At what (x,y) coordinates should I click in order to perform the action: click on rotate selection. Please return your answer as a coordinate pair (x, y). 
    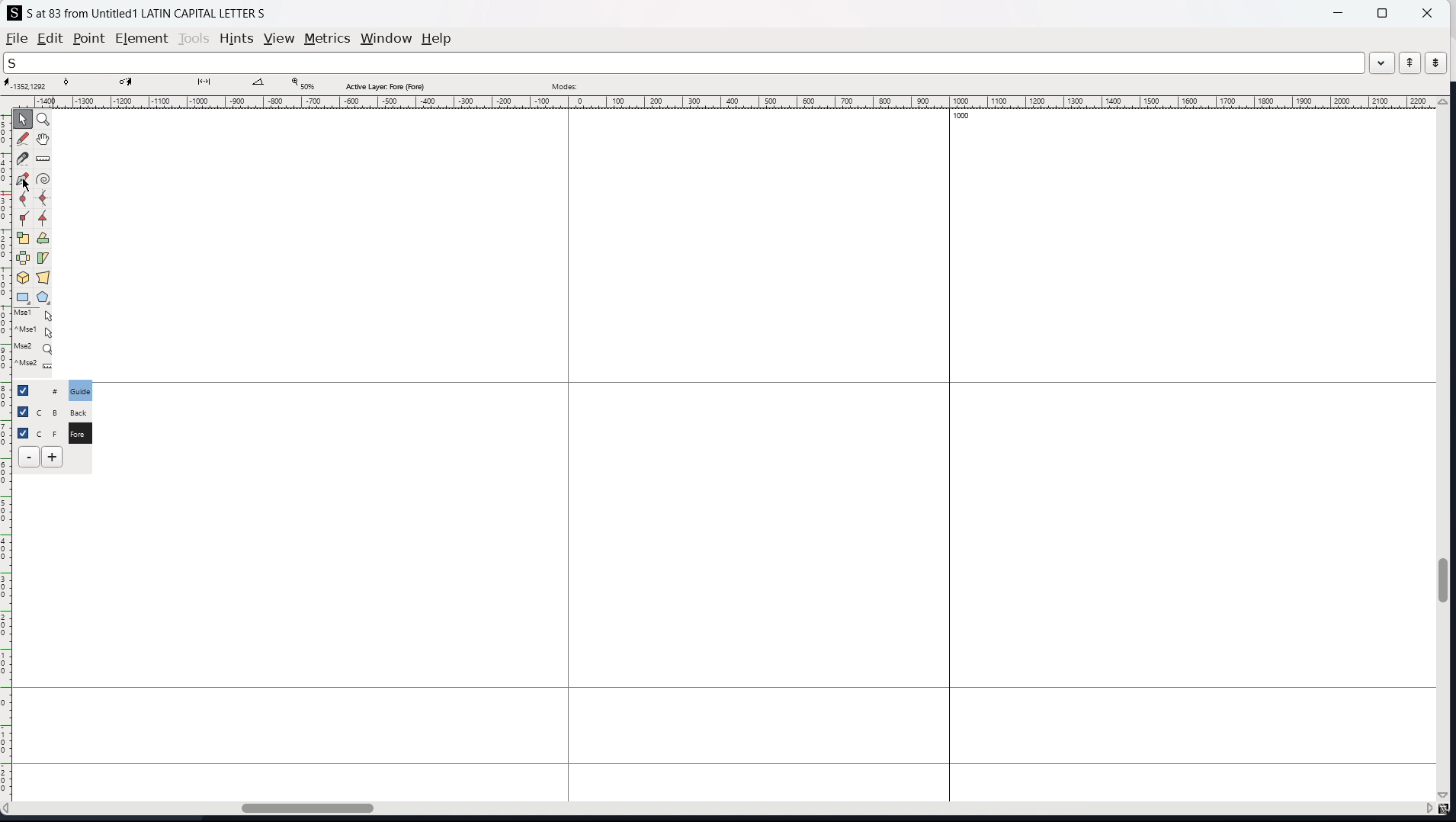
    Looking at the image, I should click on (43, 239).